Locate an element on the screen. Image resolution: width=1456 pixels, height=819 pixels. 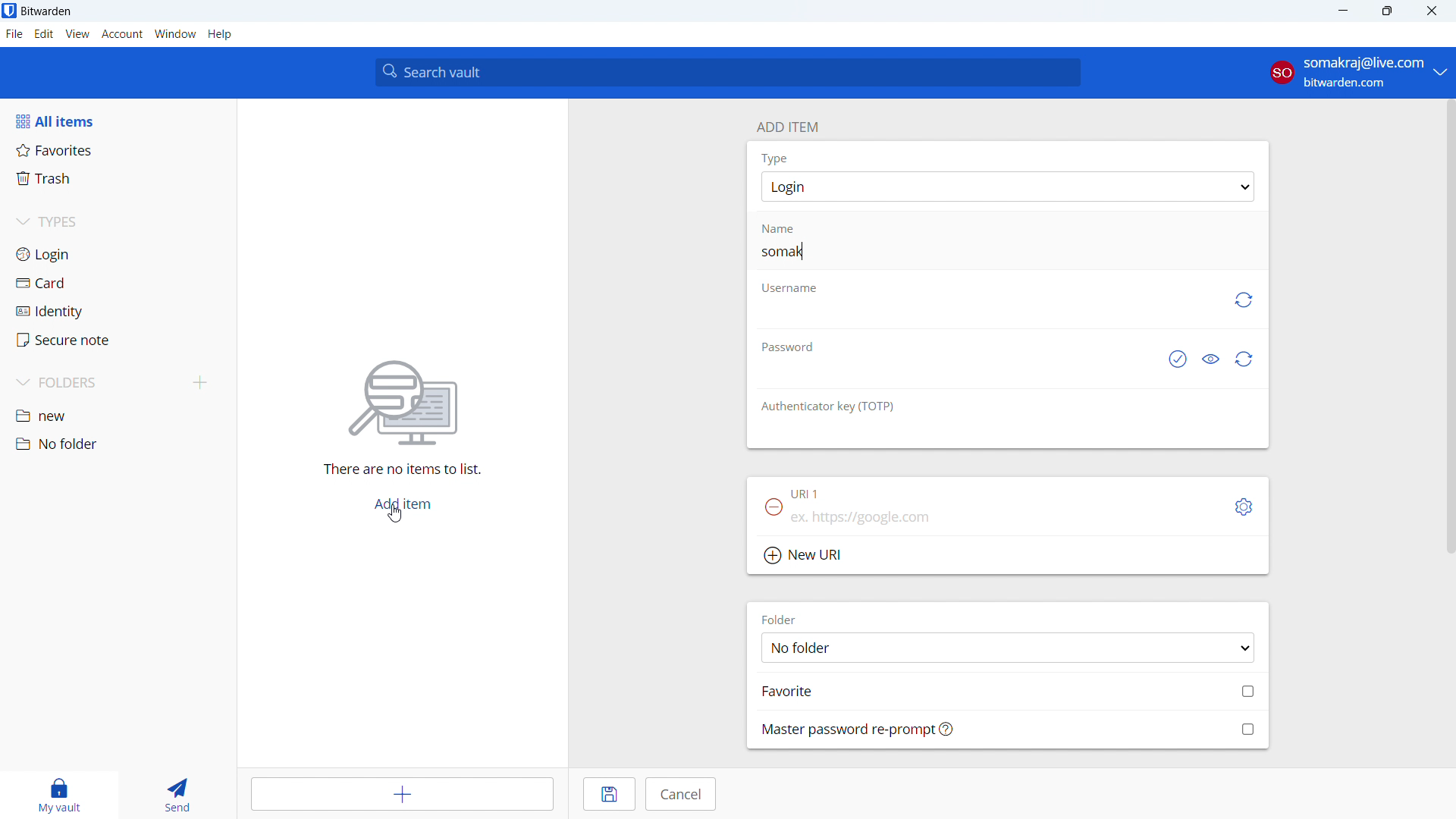
add url is located at coordinates (1007, 521).